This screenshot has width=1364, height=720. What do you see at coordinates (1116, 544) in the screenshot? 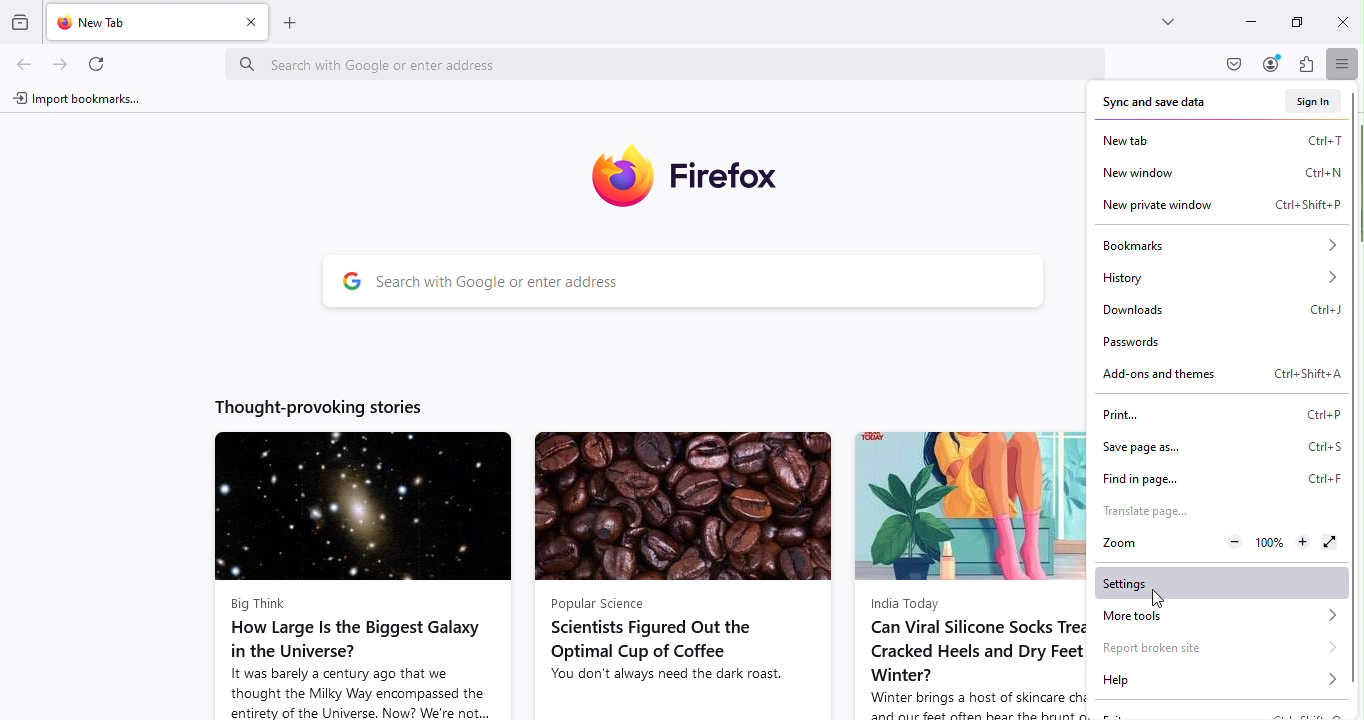
I see `Zoom` at bounding box center [1116, 544].